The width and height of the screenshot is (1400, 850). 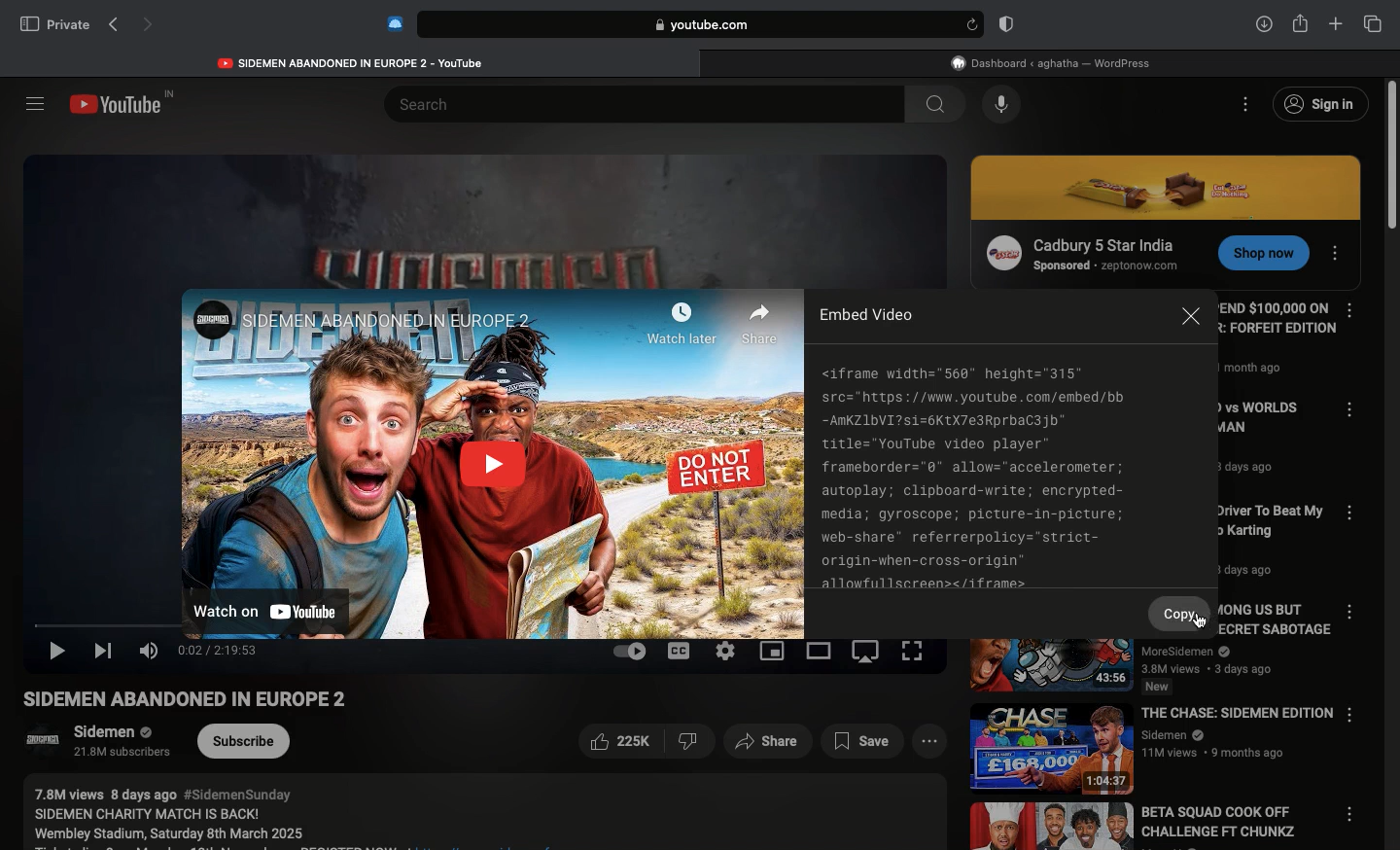 I want to click on WordPress, so click(x=1049, y=62).